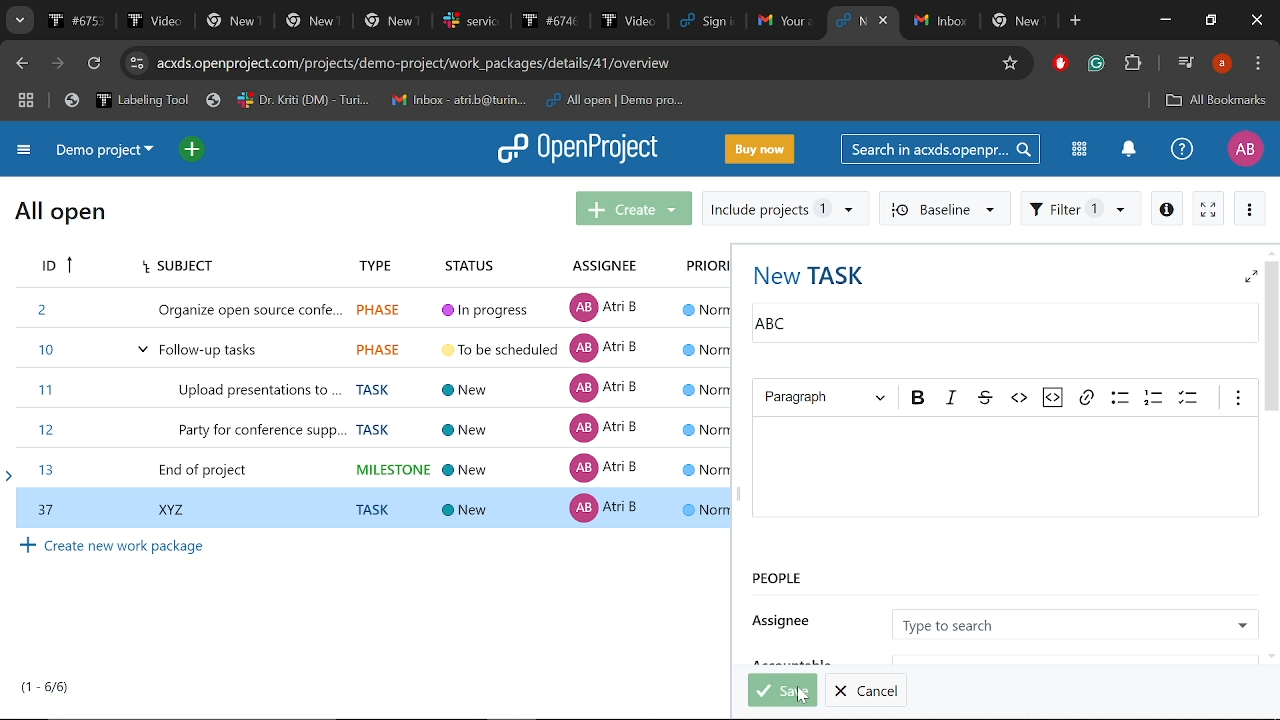 This screenshot has height=720, width=1280. What do you see at coordinates (97, 64) in the screenshot?
I see `Refresh` at bounding box center [97, 64].